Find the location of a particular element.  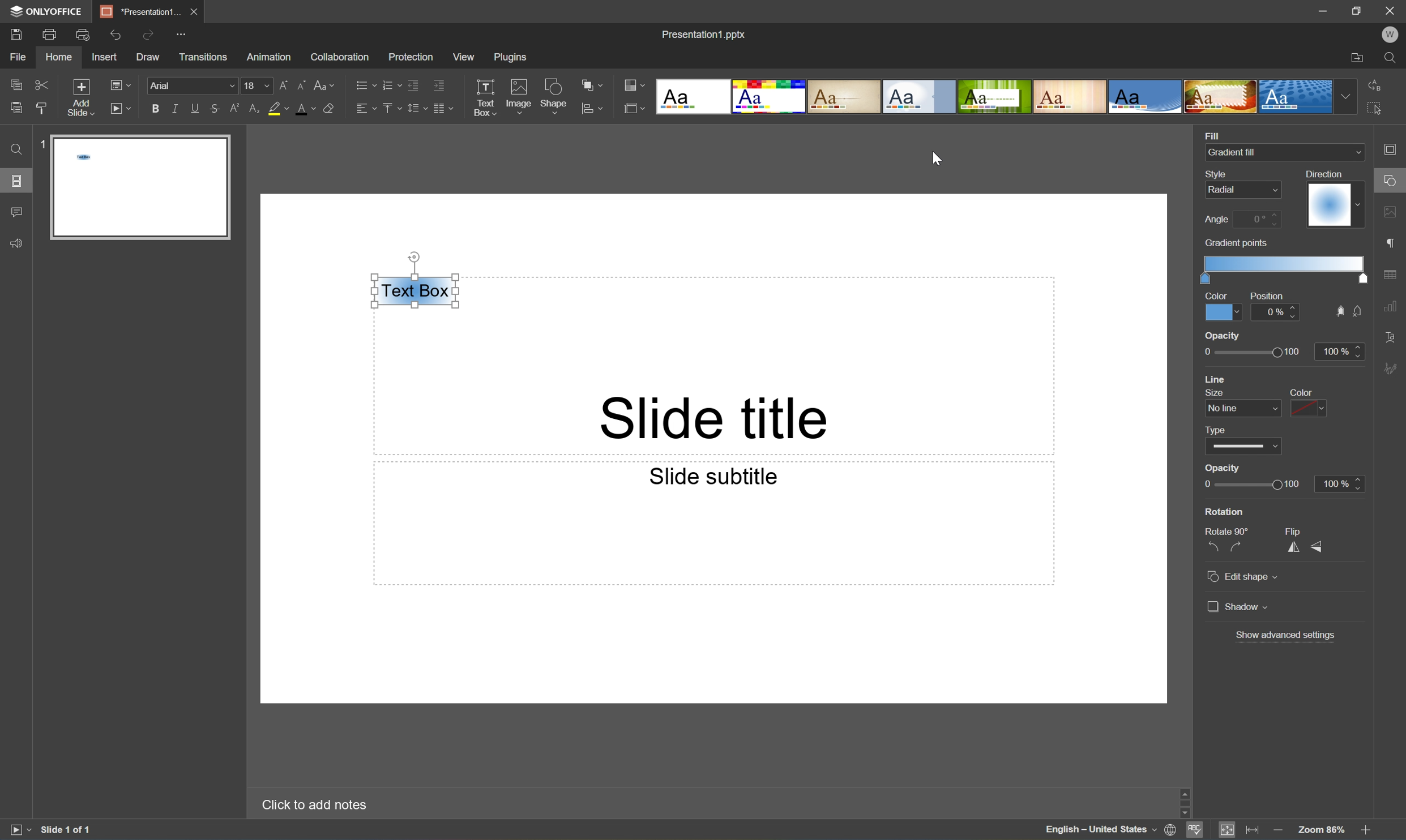

Strikethrough is located at coordinates (212, 108).